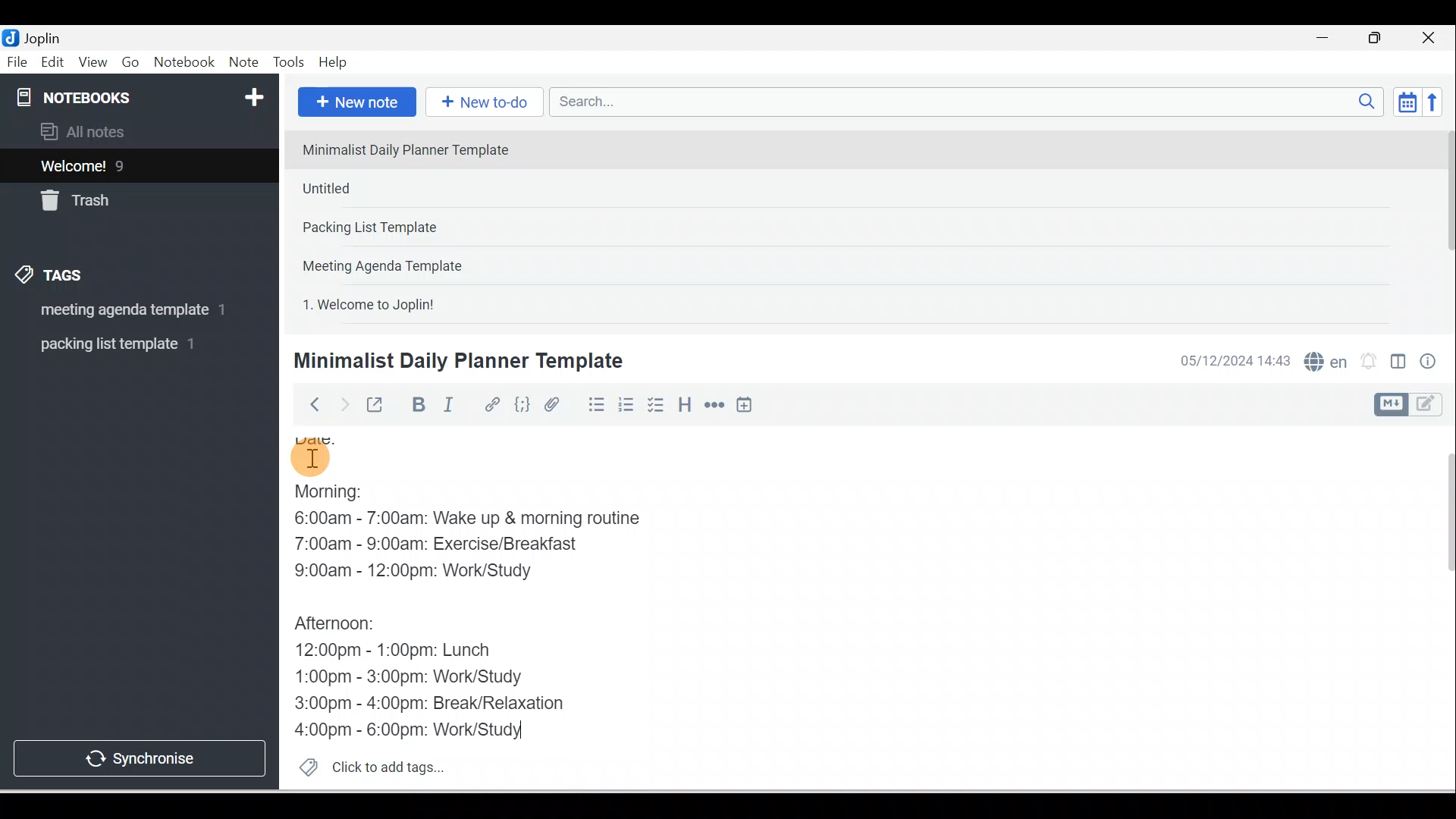 Image resolution: width=1456 pixels, height=819 pixels. Describe the element at coordinates (481, 103) in the screenshot. I see `New to-do` at that location.